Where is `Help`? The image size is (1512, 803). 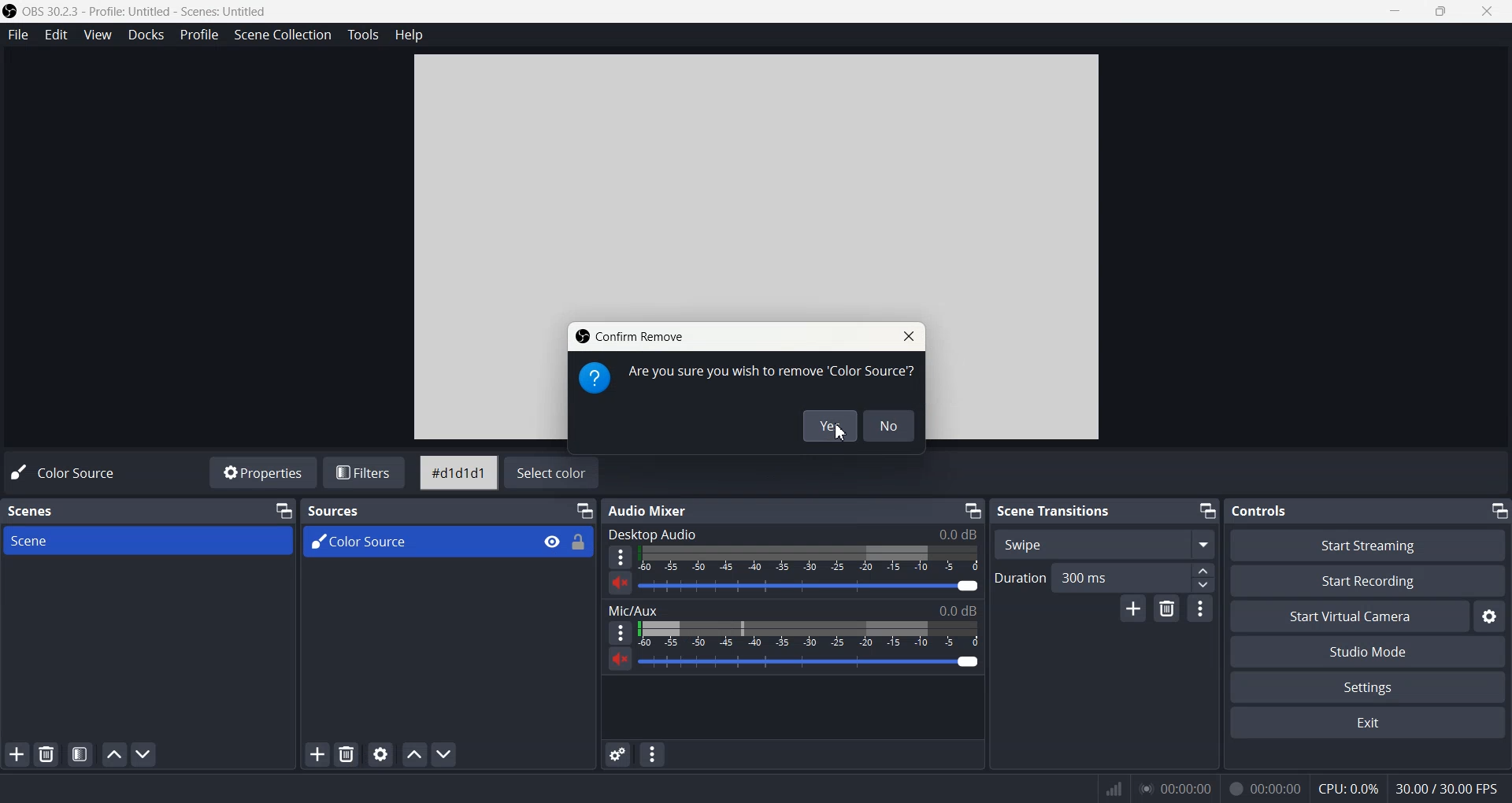 Help is located at coordinates (408, 35).